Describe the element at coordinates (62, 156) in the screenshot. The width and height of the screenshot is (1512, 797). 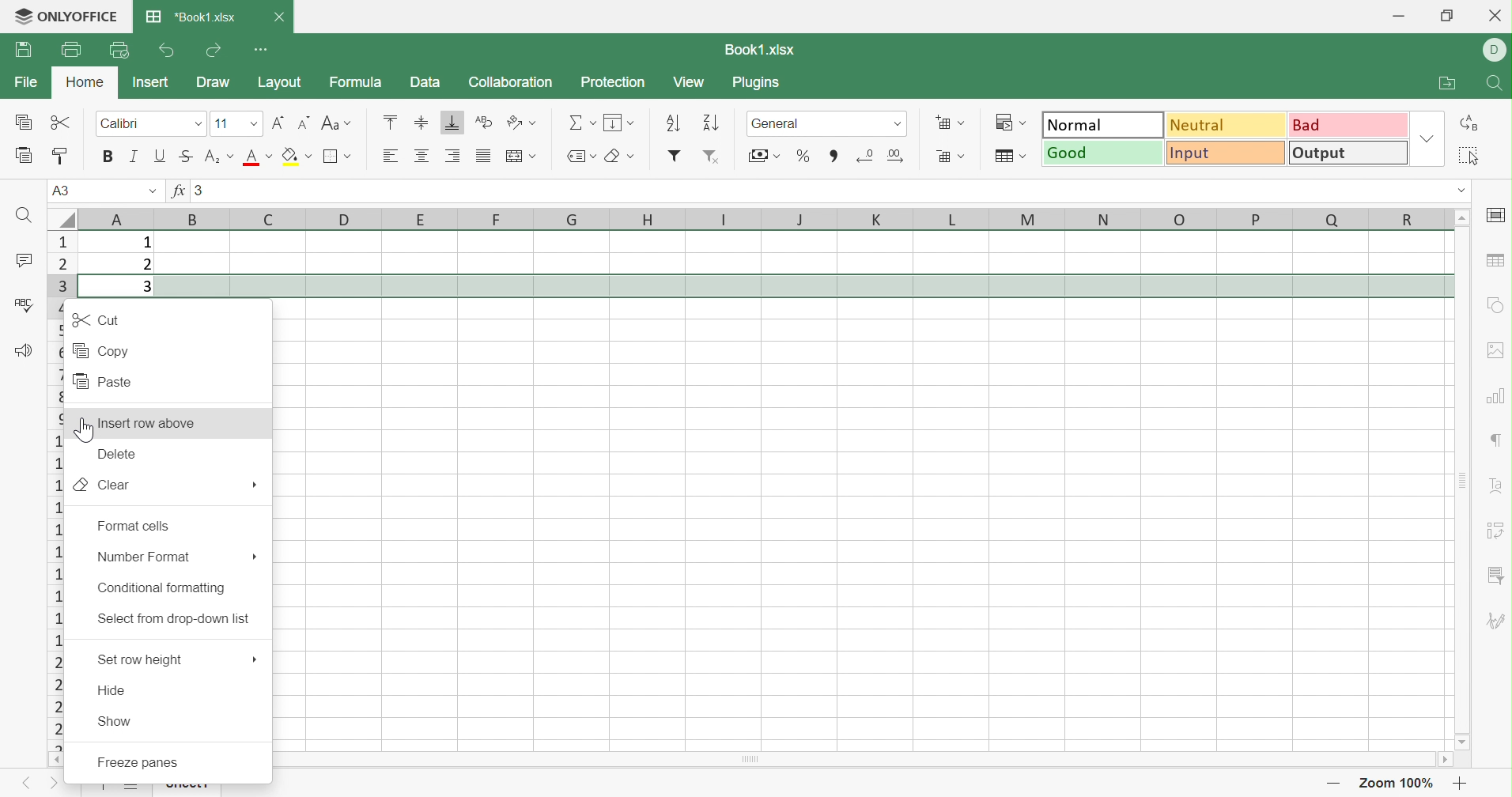
I see `Copy Style` at that location.